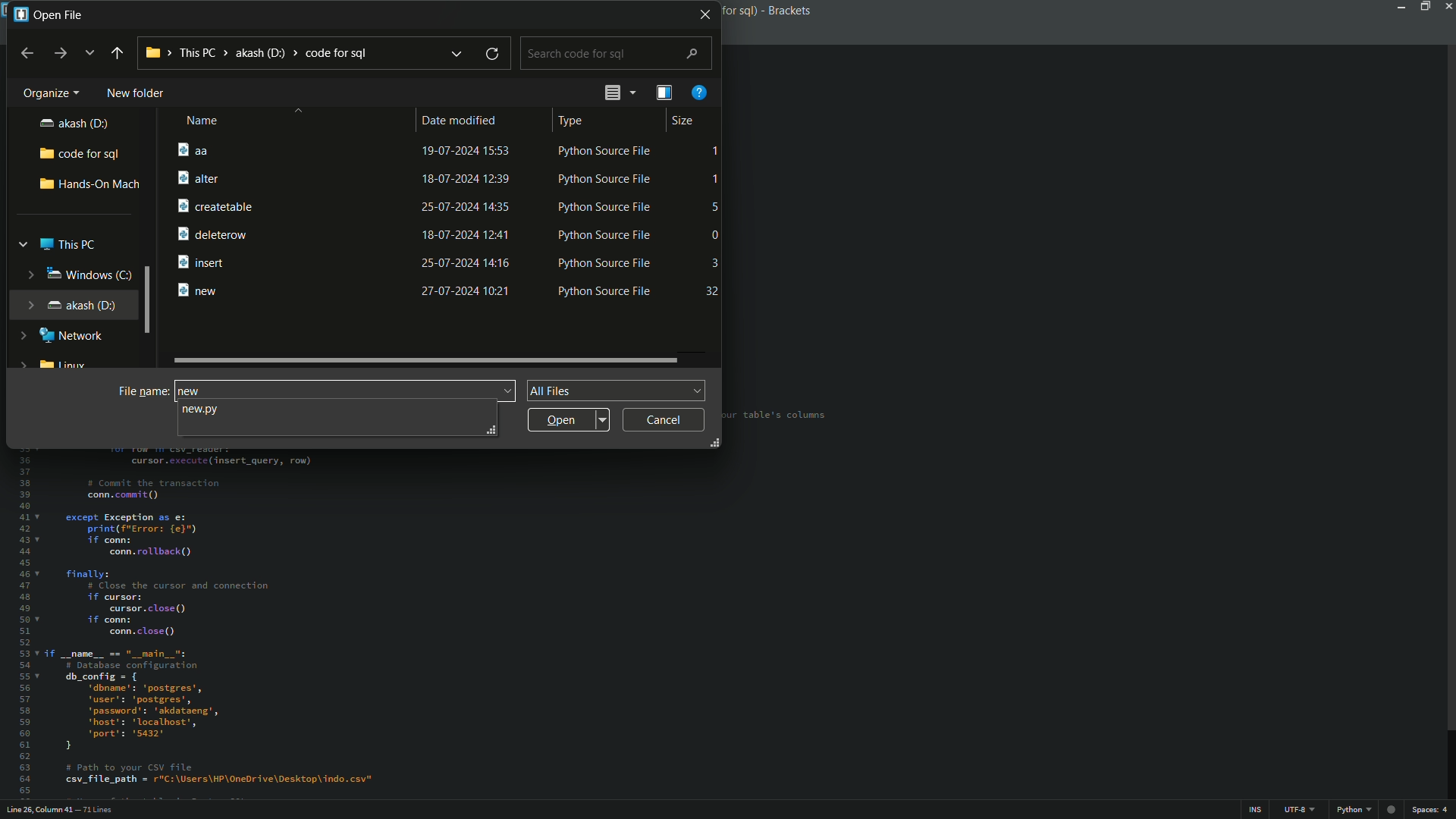  Describe the element at coordinates (603, 234) in the screenshot. I see `Python Source File` at that location.